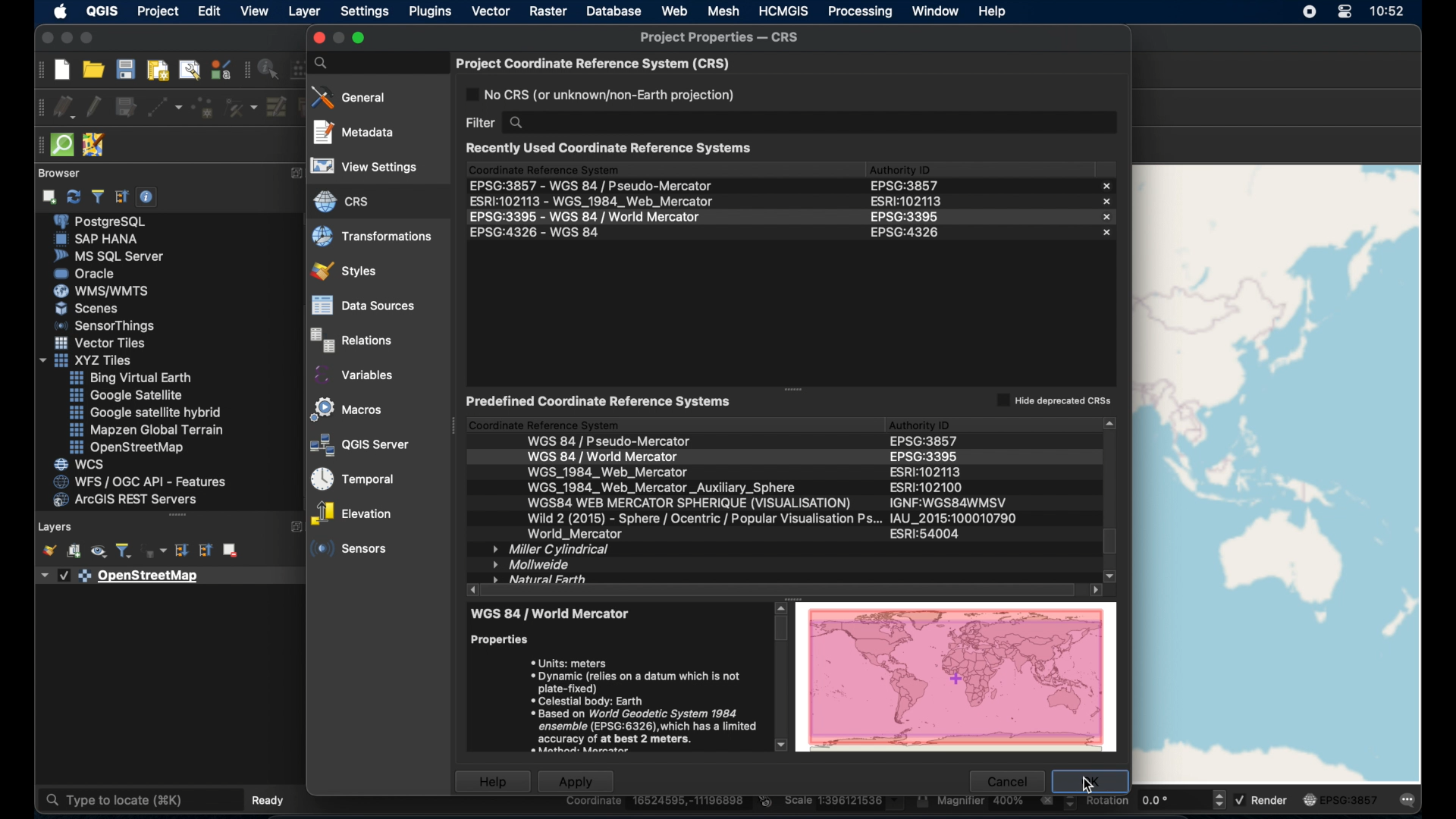 This screenshot has width=1456, height=819. What do you see at coordinates (924, 456) in the screenshot?
I see `authority id` at bounding box center [924, 456].